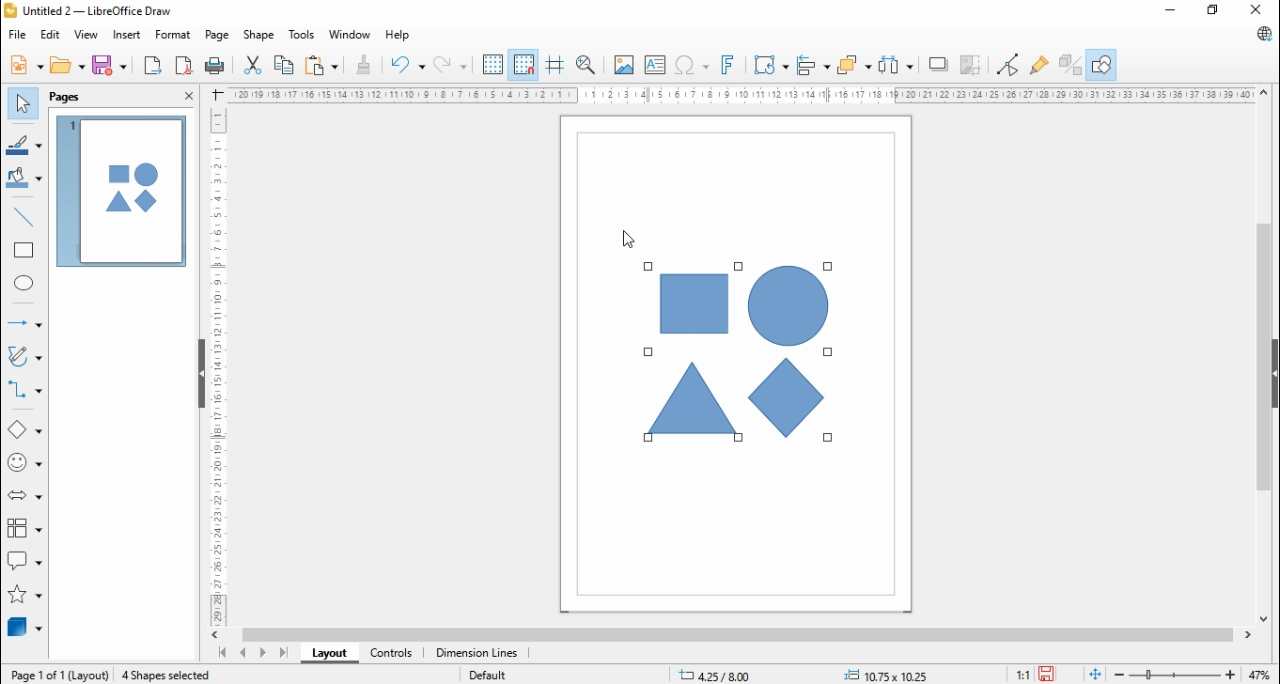  I want to click on simple shapes, so click(26, 428).